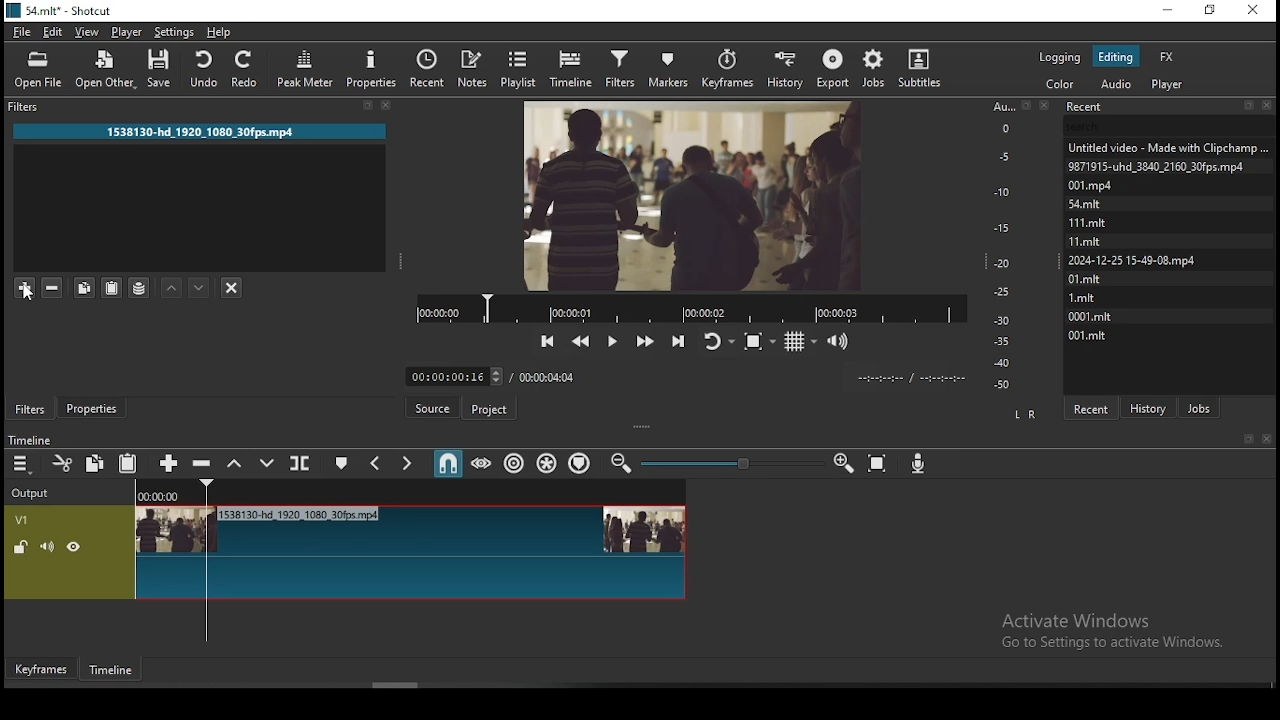 Image resolution: width=1280 pixels, height=720 pixels. Describe the element at coordinates (717, 339) in the screenshot. I see `toggle player looping` at that location.